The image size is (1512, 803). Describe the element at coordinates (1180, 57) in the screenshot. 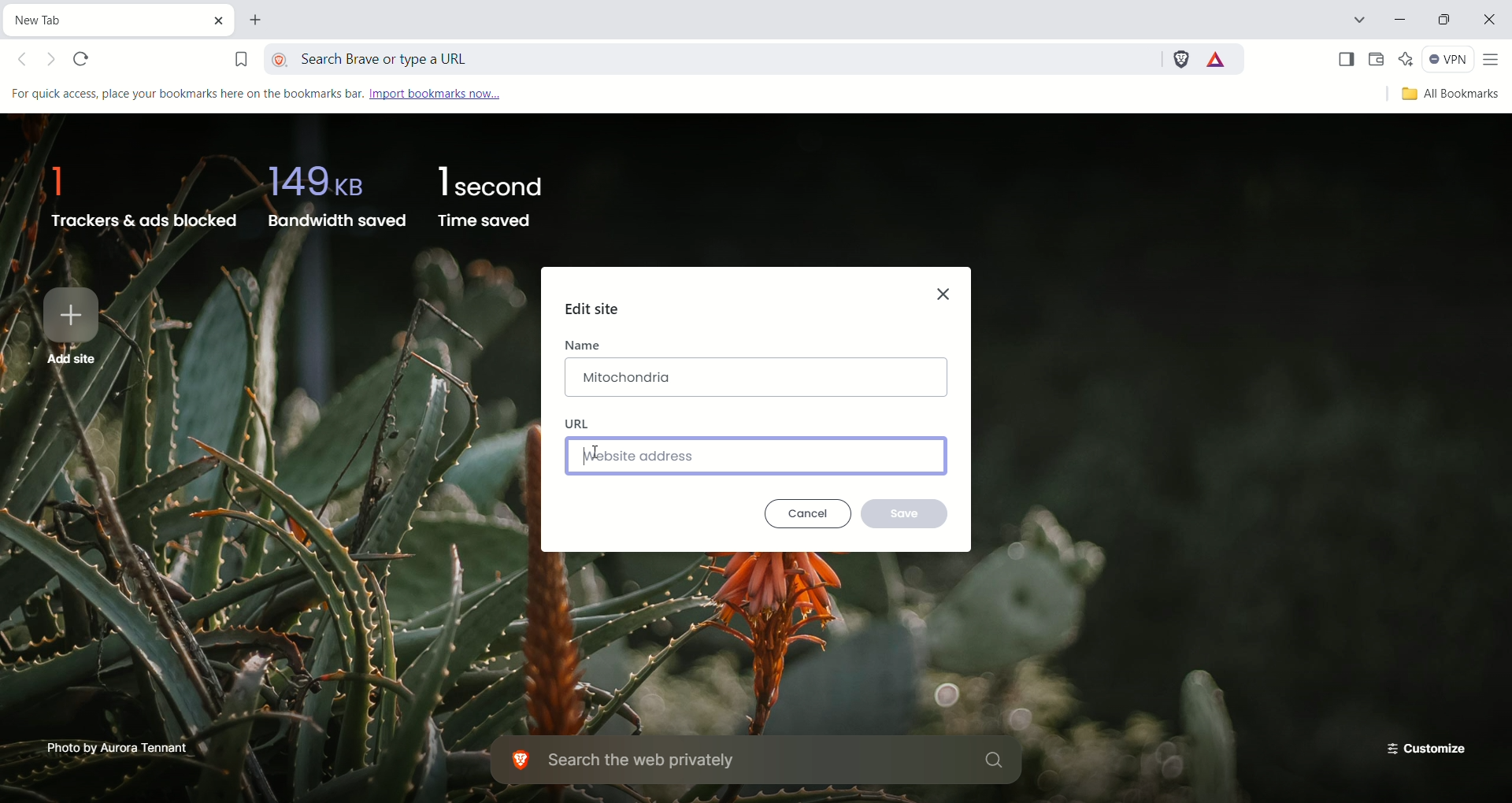

I see `brave shields` at that location.